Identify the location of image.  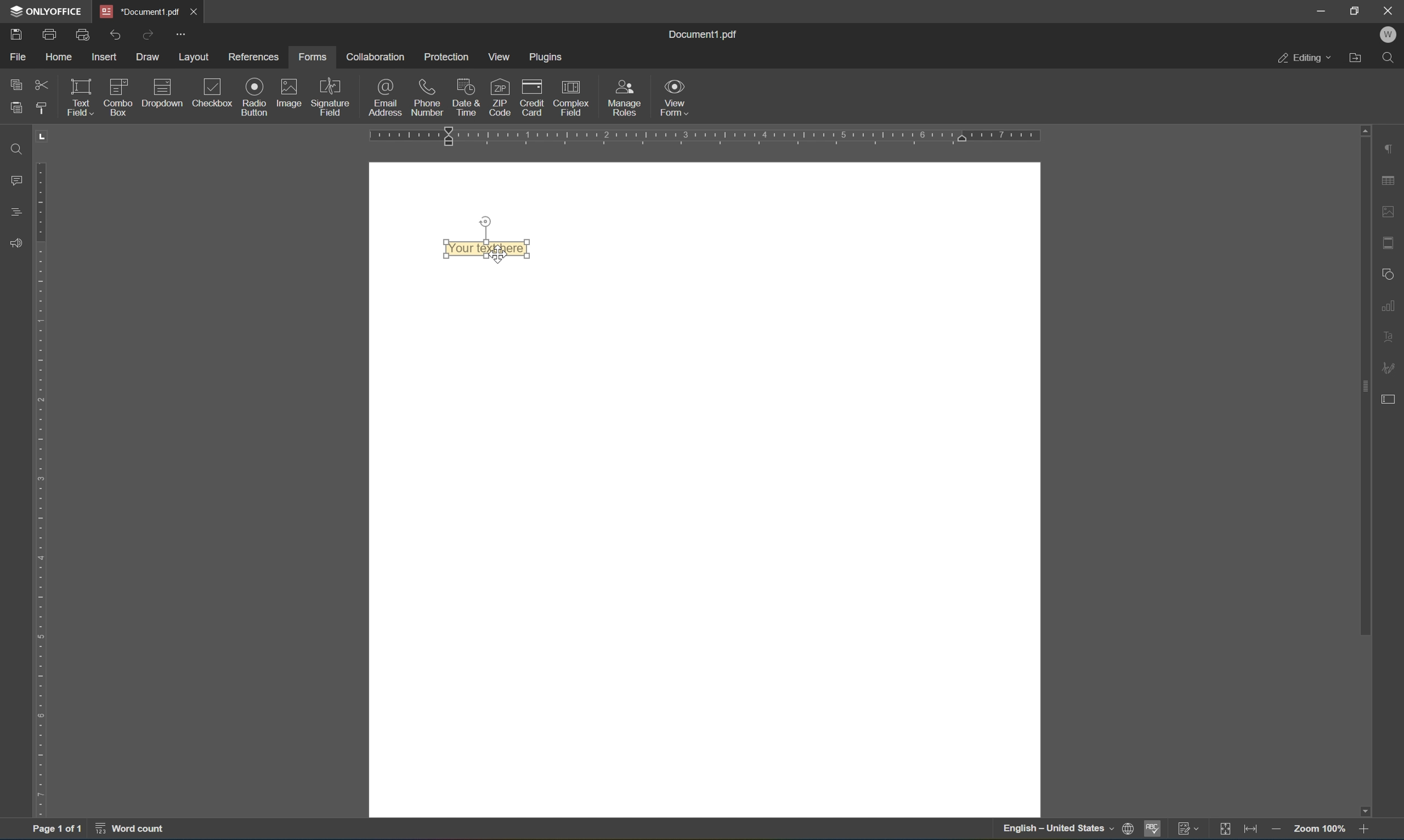
(292, 94).